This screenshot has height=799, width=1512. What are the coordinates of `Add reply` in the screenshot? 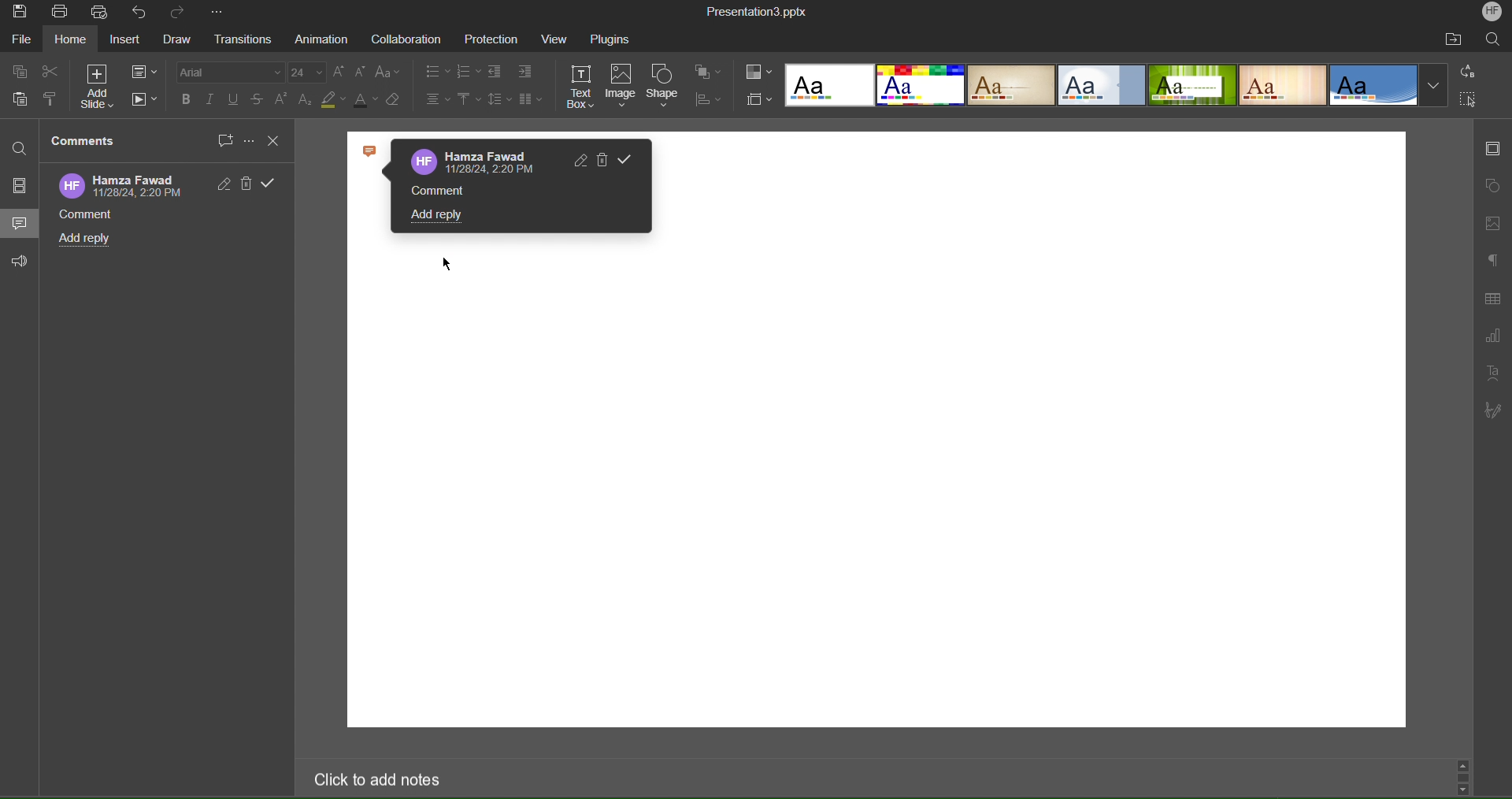 It's located at (91, 239).